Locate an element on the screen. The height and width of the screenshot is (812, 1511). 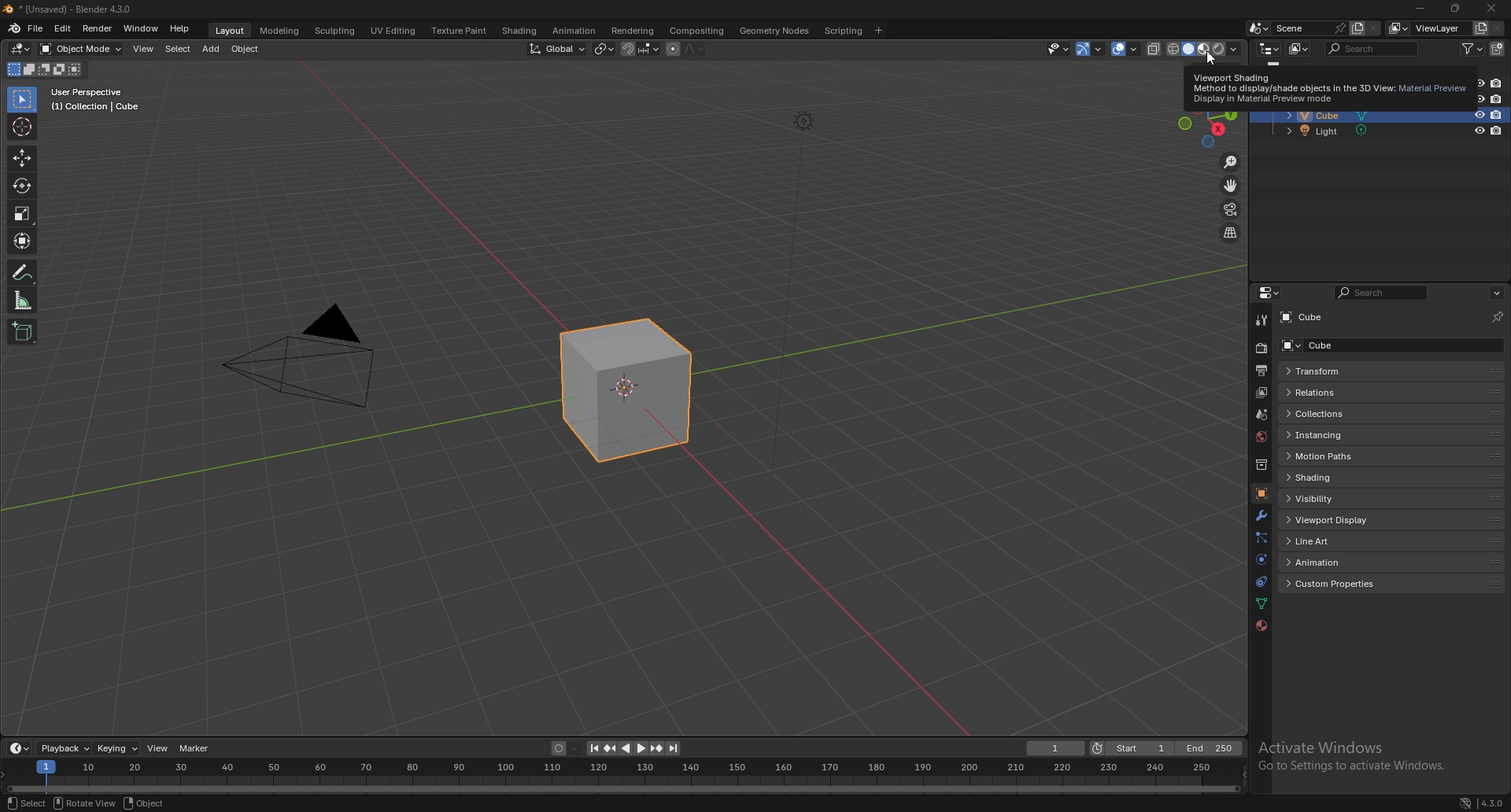
disable in renders is located at coordinates (1496, 83).